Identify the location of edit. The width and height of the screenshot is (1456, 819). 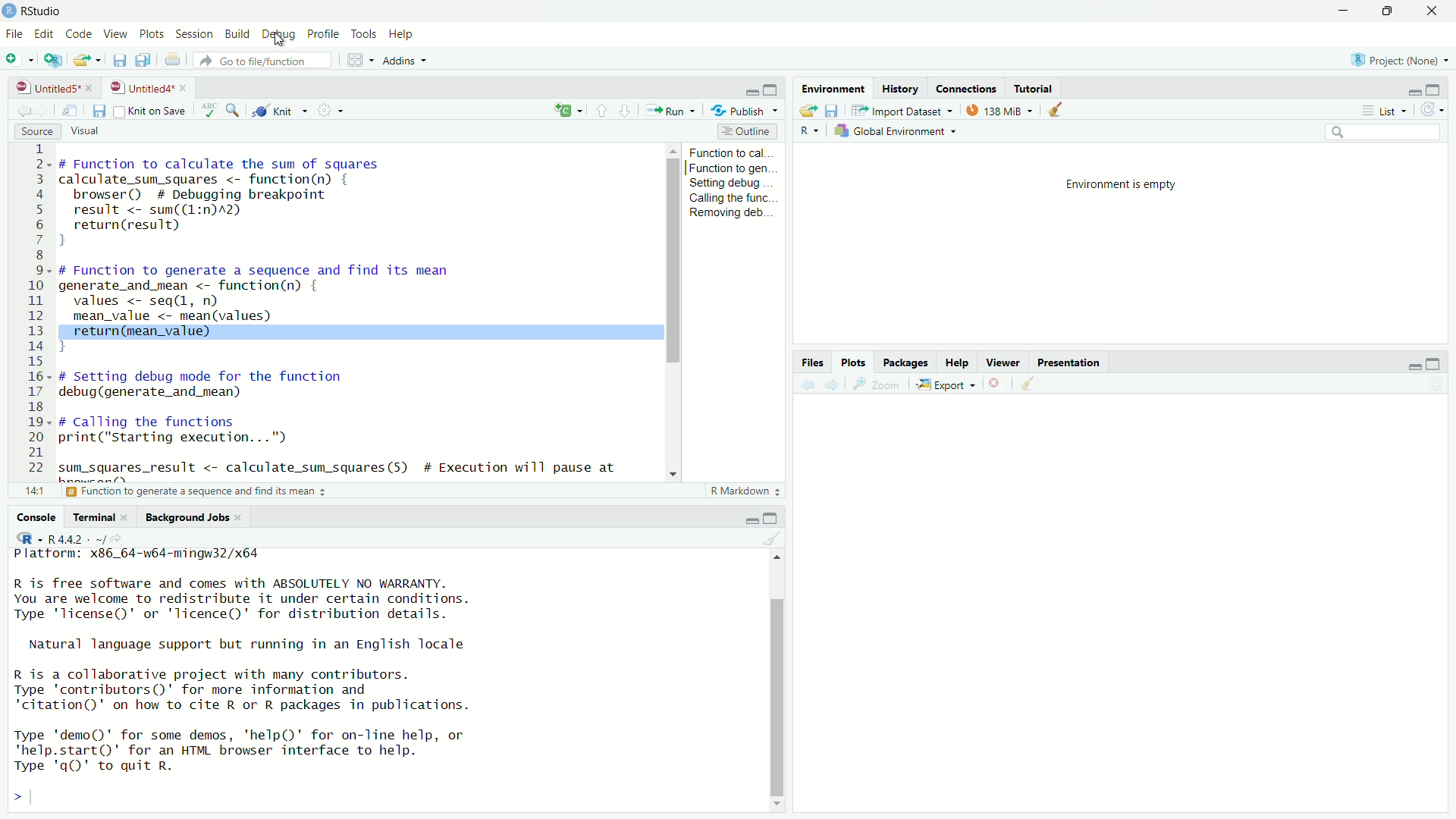
(45, 35).